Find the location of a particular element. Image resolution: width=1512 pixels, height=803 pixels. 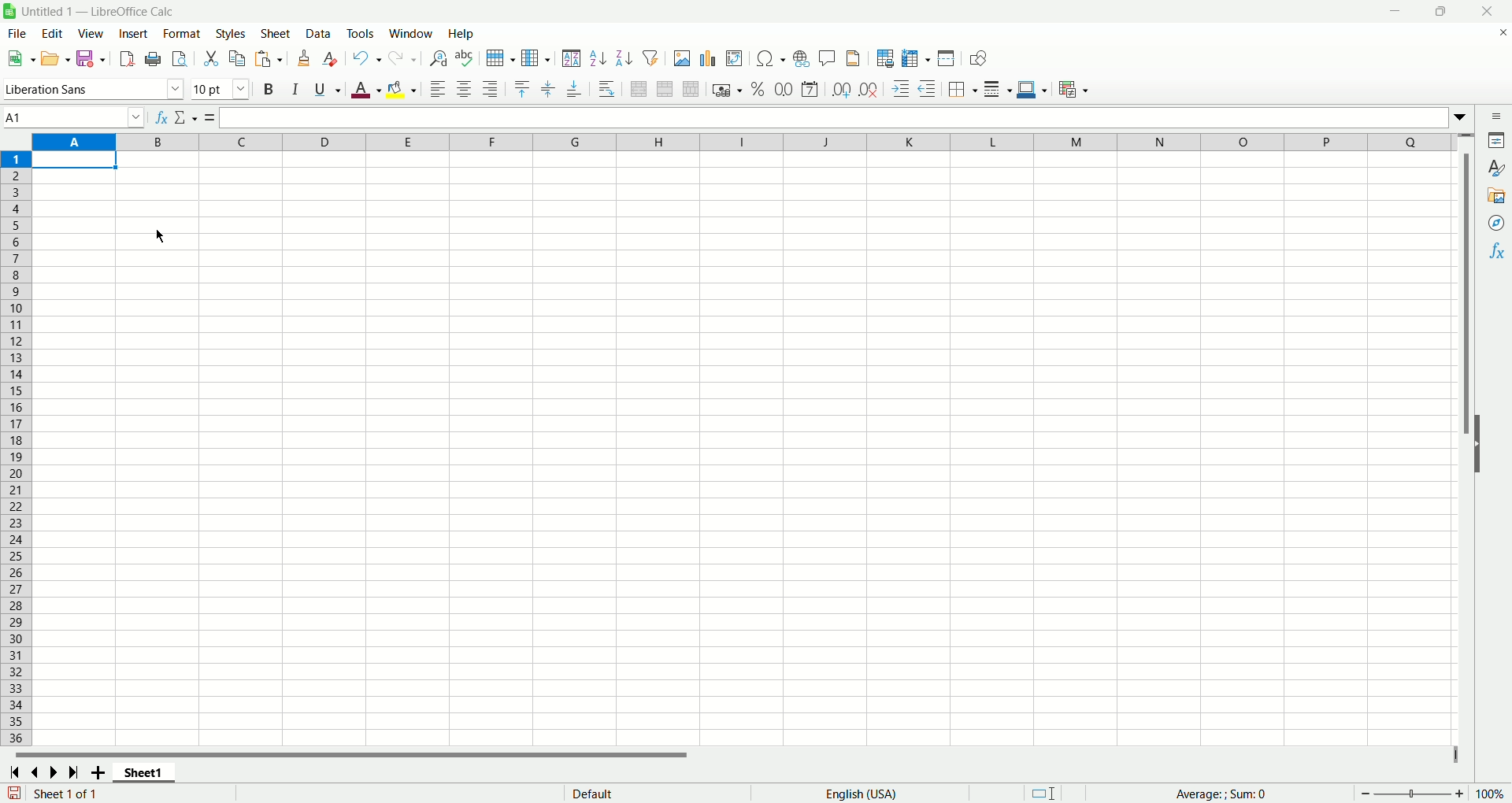

gallery is located at coordinates (1494, 196).